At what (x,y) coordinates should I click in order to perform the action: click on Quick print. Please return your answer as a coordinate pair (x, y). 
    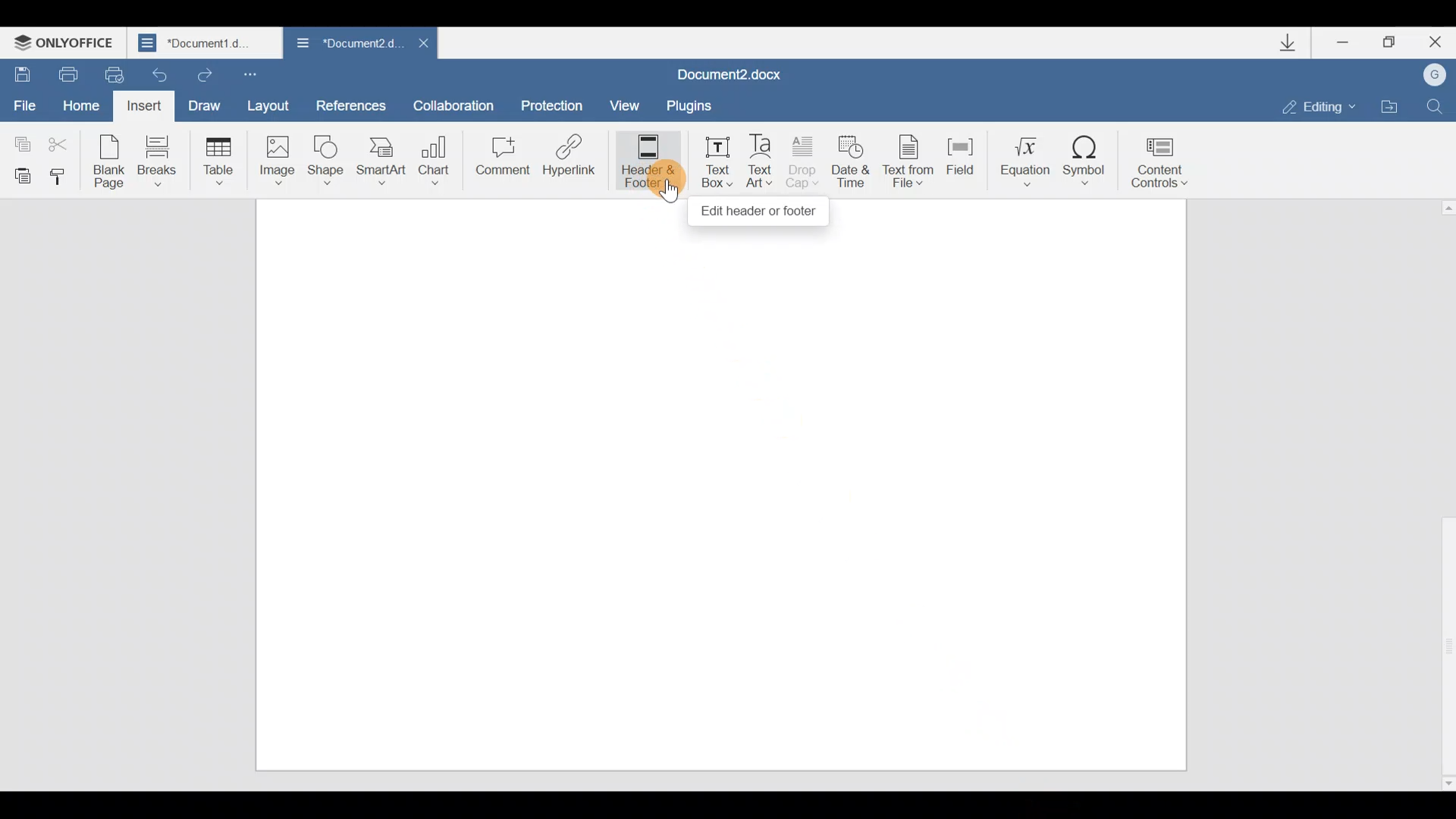
    Looking at the image, I should click on (115, 74).